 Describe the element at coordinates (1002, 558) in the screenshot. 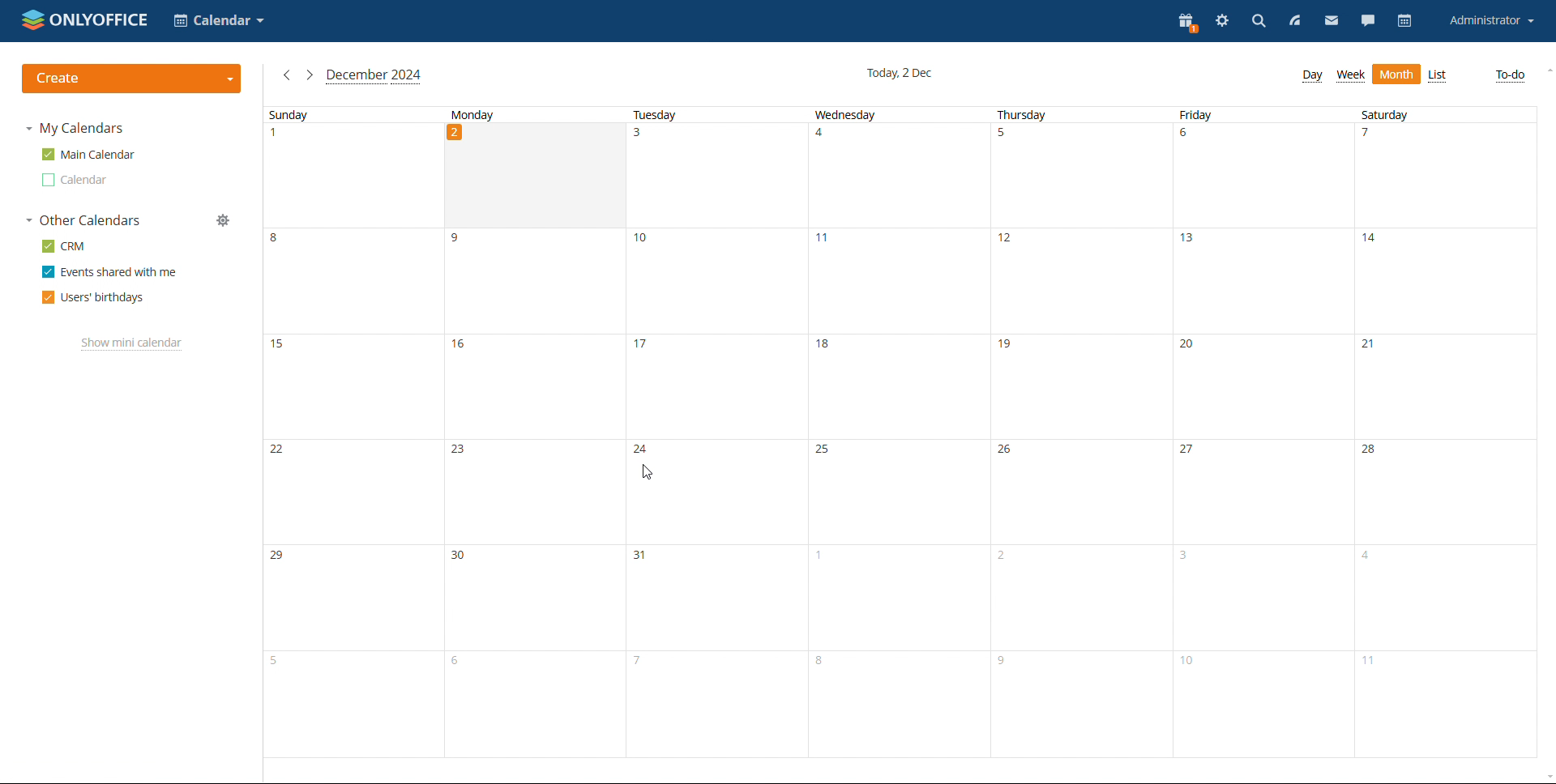

I see `2` at that location.